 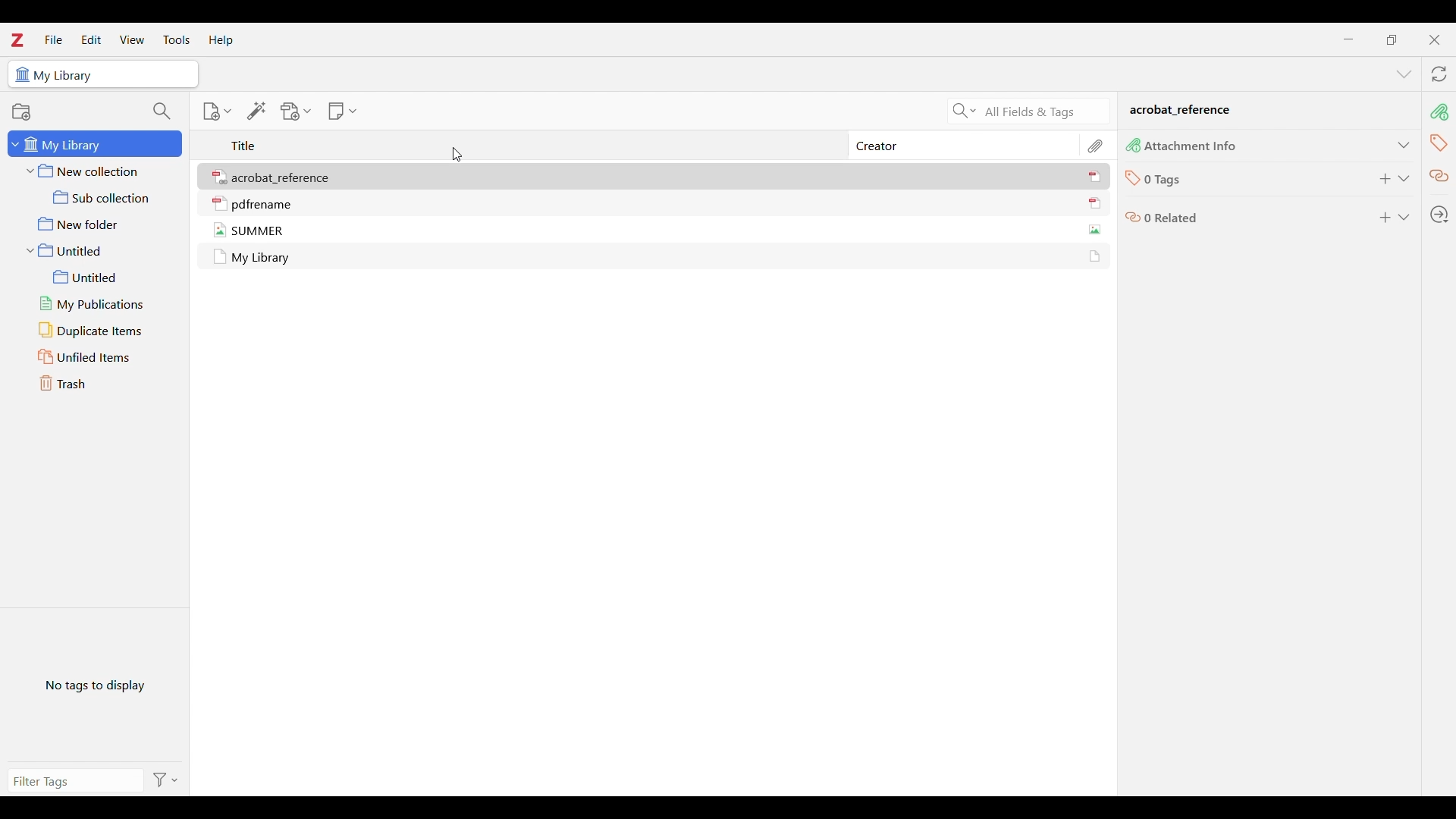 What do you see at coordinates (1439, 215) in the screenshot?
I see `Locate` at bounding box center [1439, 215].